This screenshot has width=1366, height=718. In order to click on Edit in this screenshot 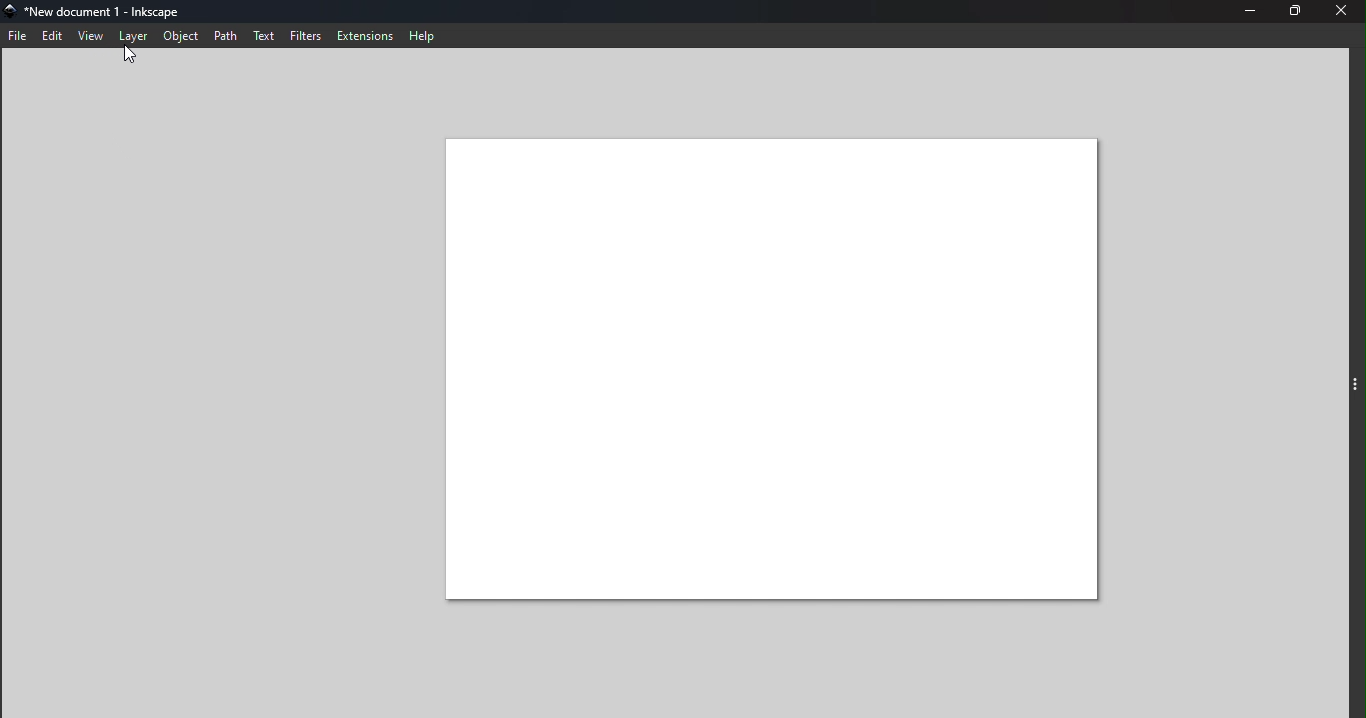, I will do `click(54, 37)`.